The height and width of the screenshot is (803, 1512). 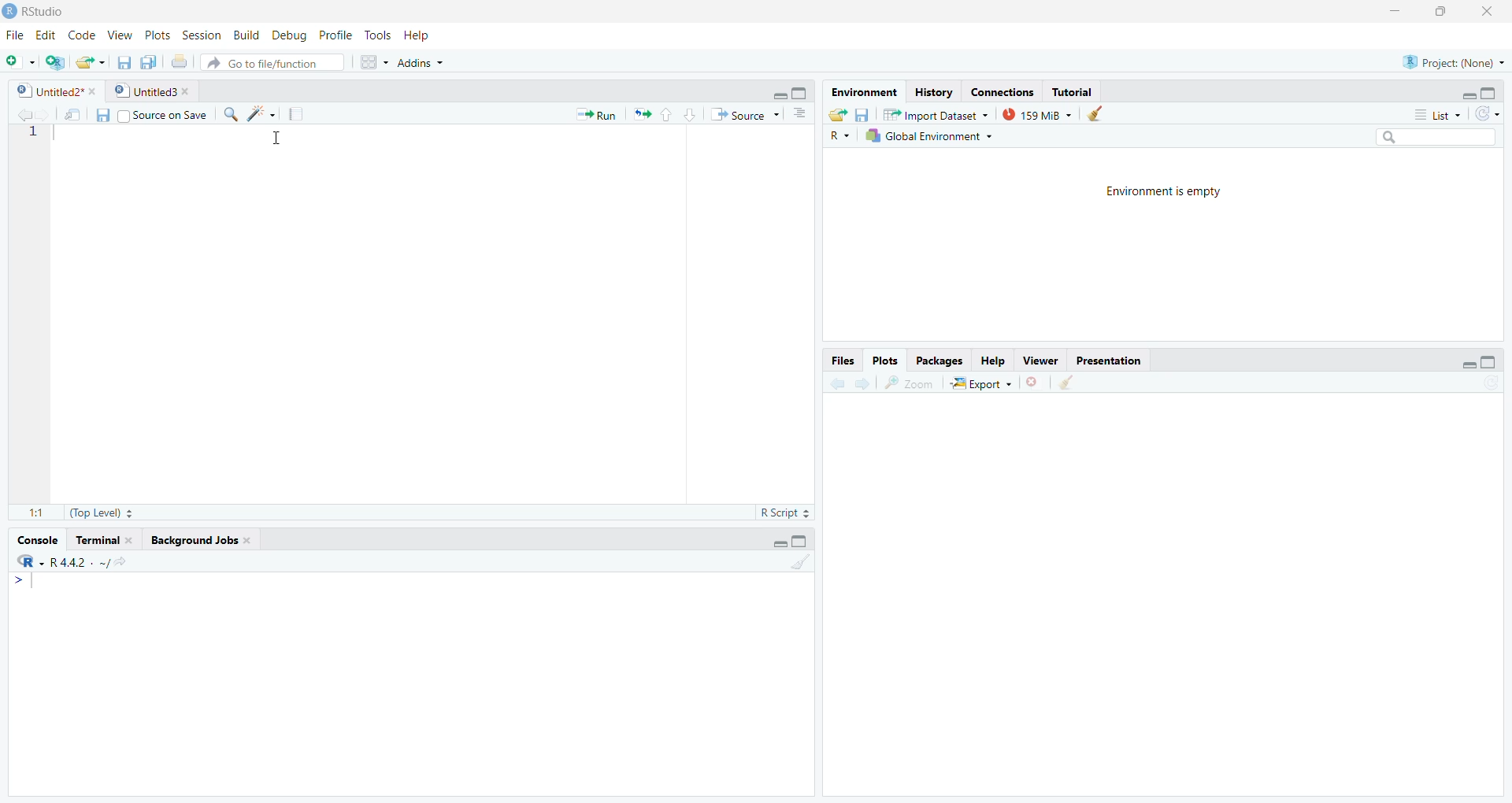 I want to click on Connections, so click(x=1002, y=91).